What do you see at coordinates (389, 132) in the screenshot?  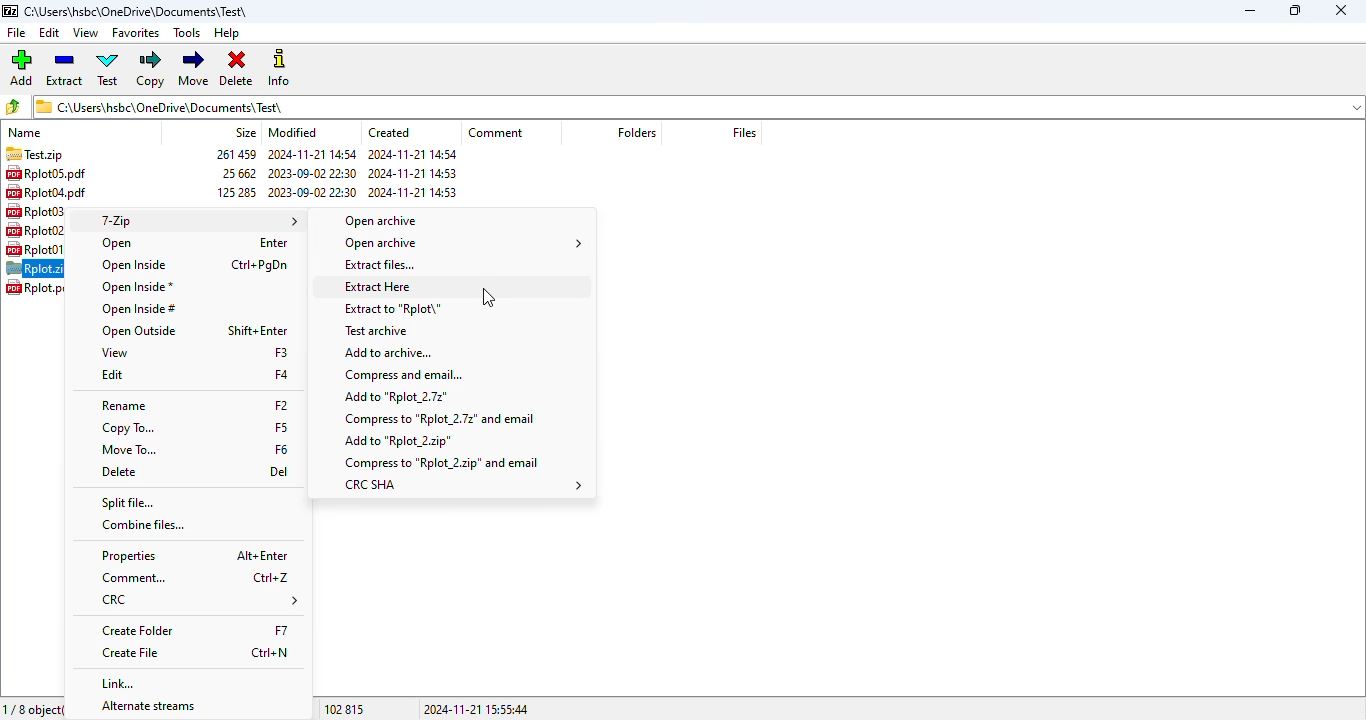 I see `created` at bounding box center [389, 132].